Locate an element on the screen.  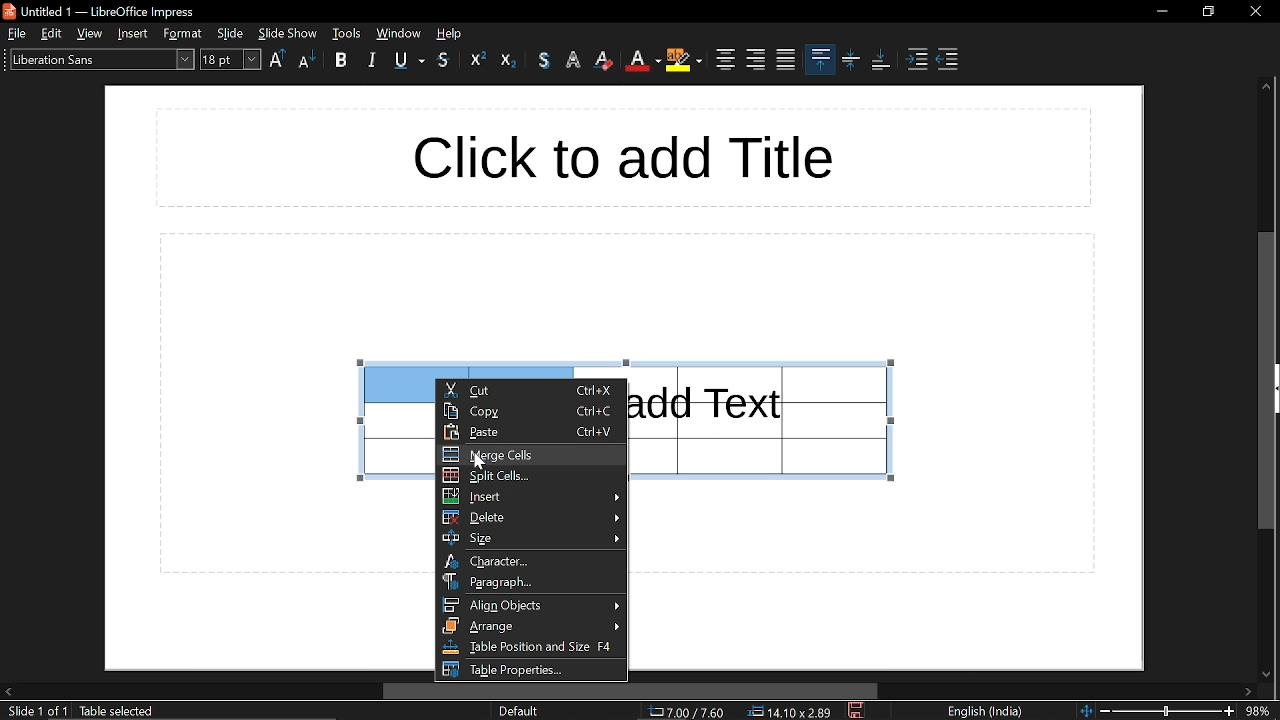
cursor co-ordinate is located at coordinates (686, 712).